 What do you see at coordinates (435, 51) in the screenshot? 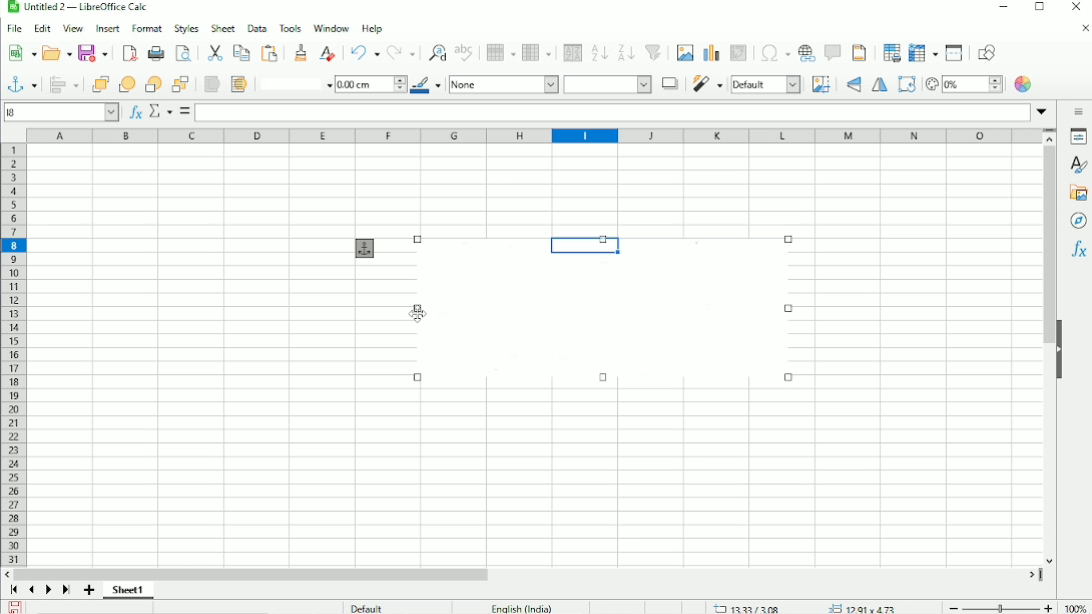
I see `Find and replace` at bounding box center [435, 51].